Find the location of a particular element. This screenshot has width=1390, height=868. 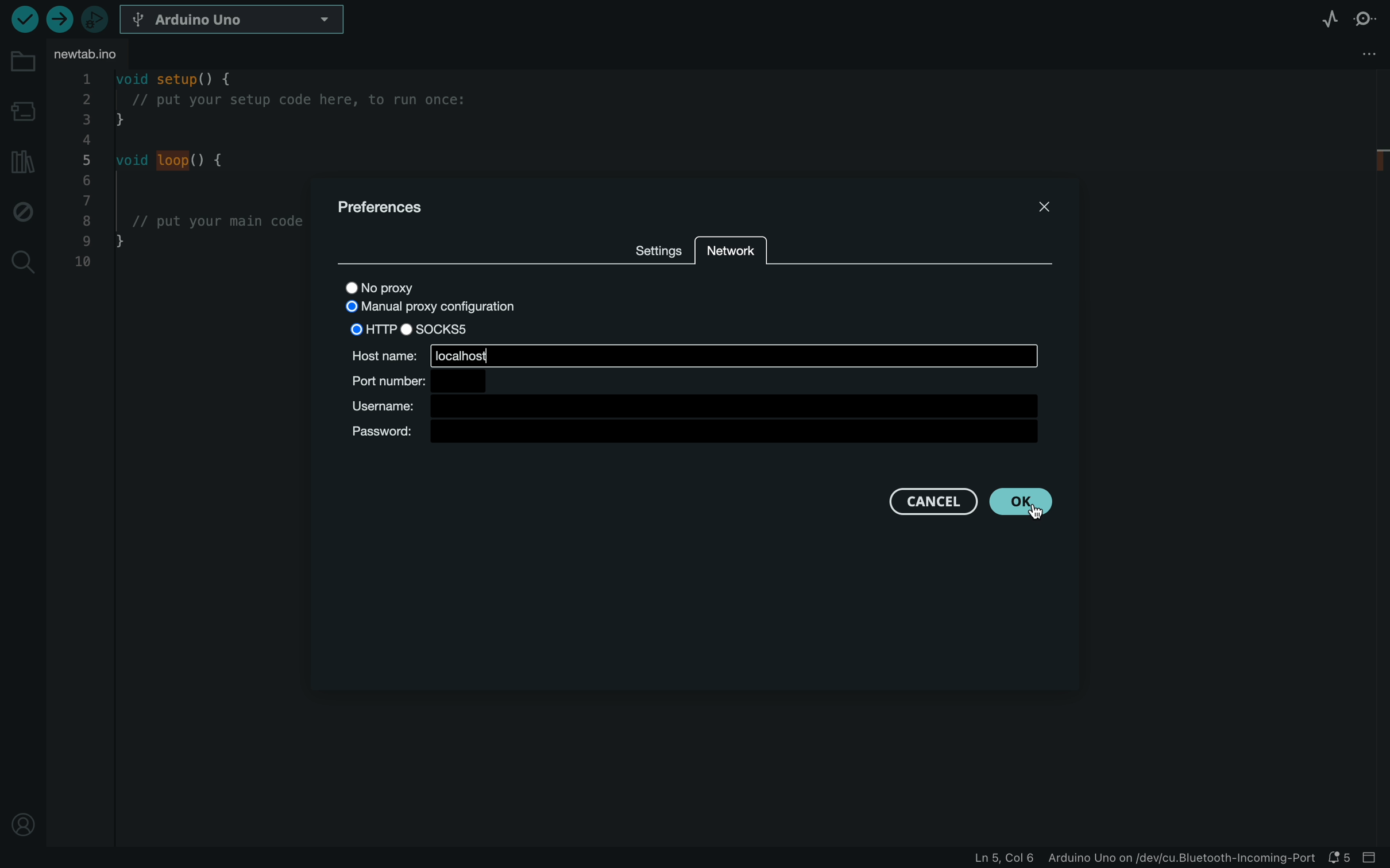

SOCKS5 is located at coordinates (448, 329).